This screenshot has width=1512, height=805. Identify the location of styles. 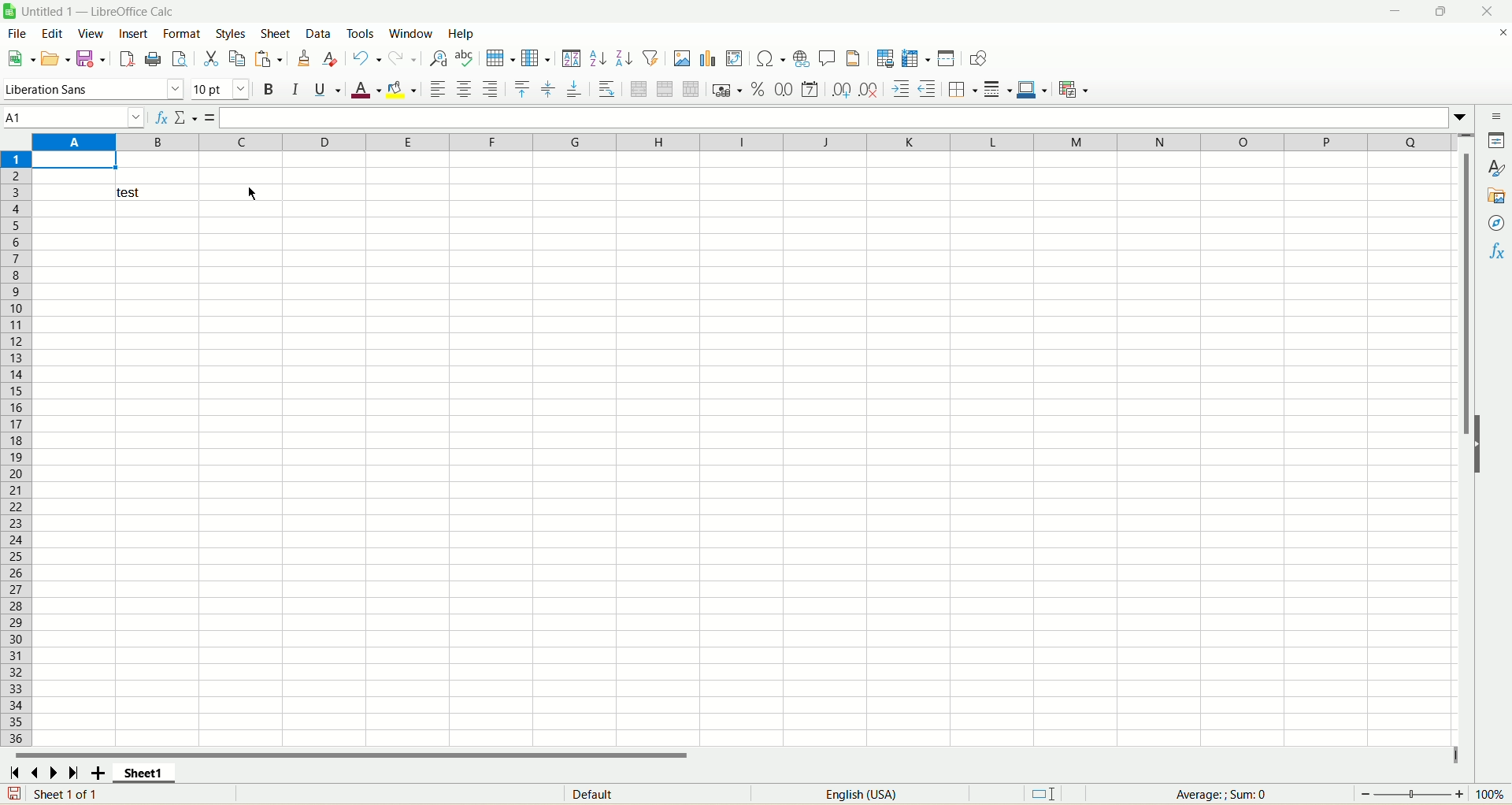
(1495, 169).